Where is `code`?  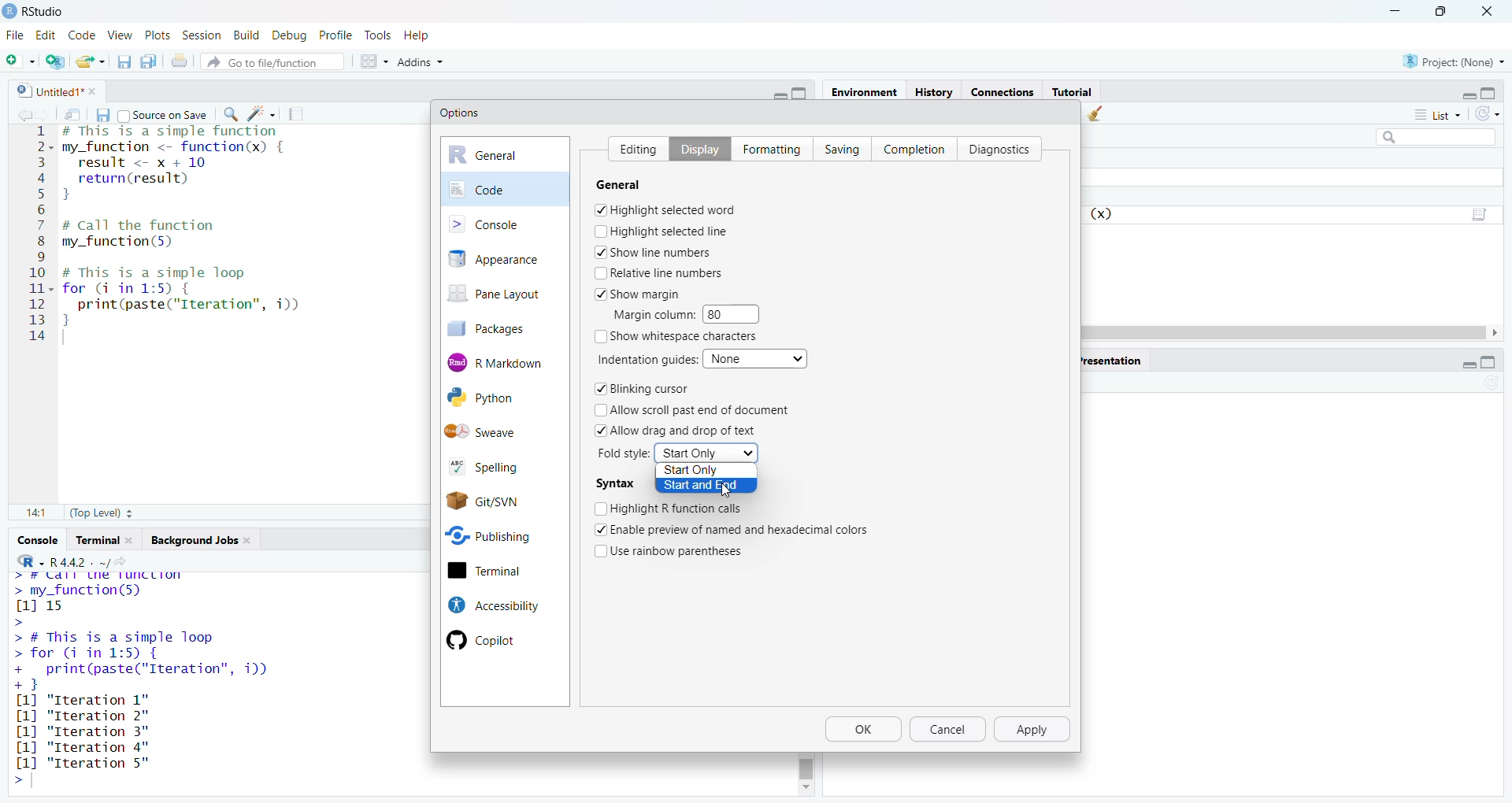 code is located at coordinates (82, 33).